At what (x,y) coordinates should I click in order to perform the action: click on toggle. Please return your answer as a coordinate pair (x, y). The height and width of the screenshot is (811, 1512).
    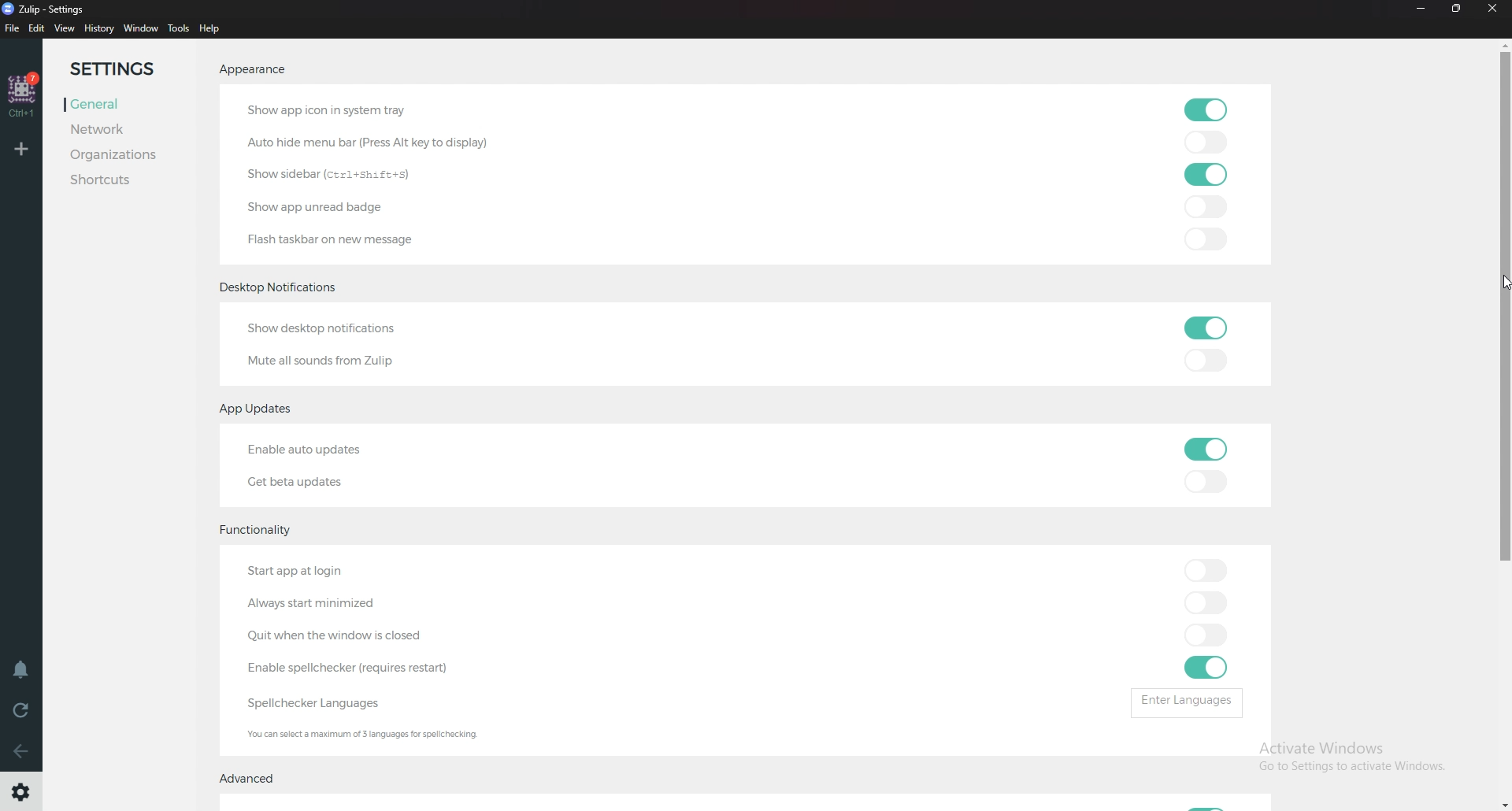
    Looking at the image, I should click on (1205, 173).